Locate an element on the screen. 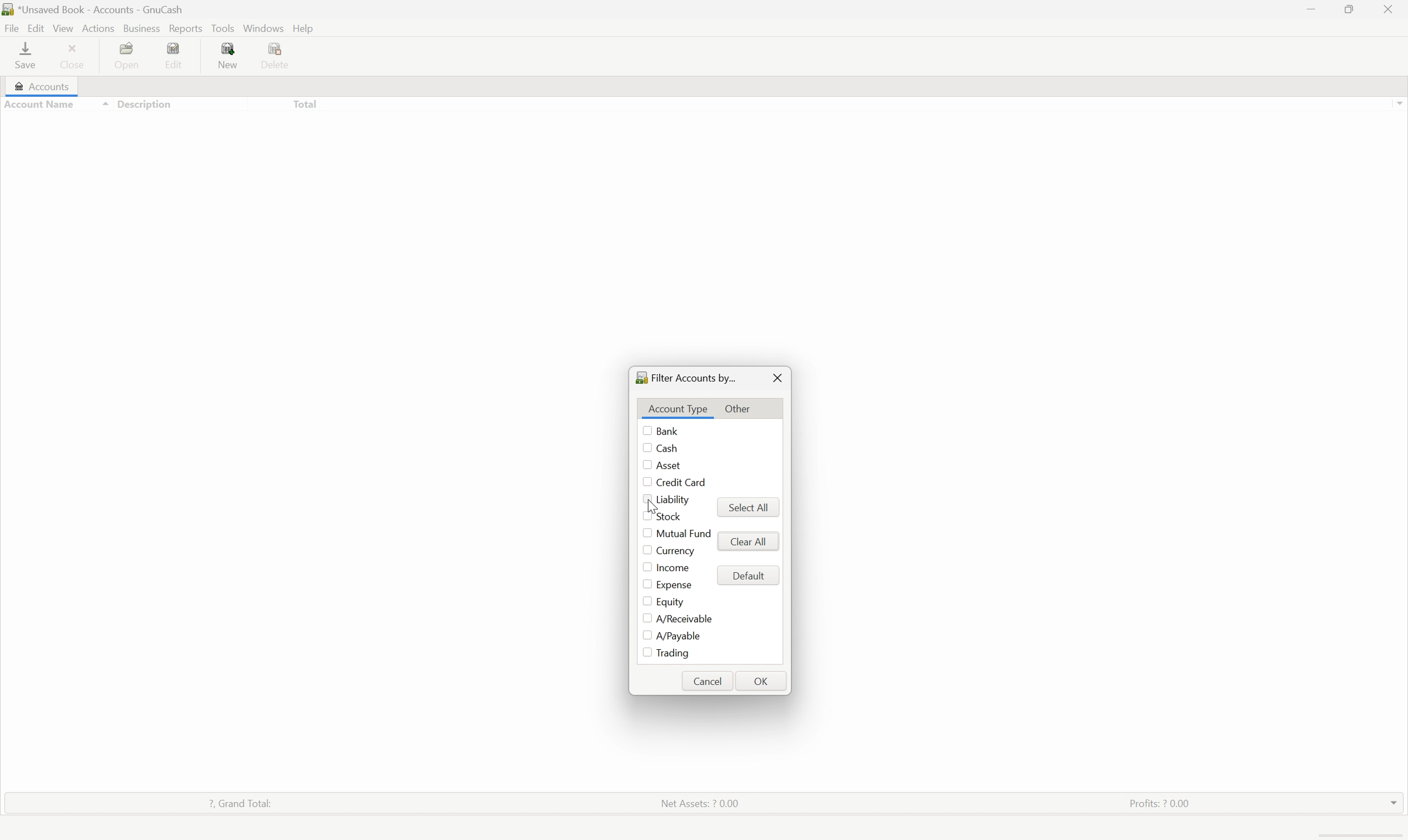 The width and height of the screenshot is (1408, 840). Reports is located at coordinates (184, 28).